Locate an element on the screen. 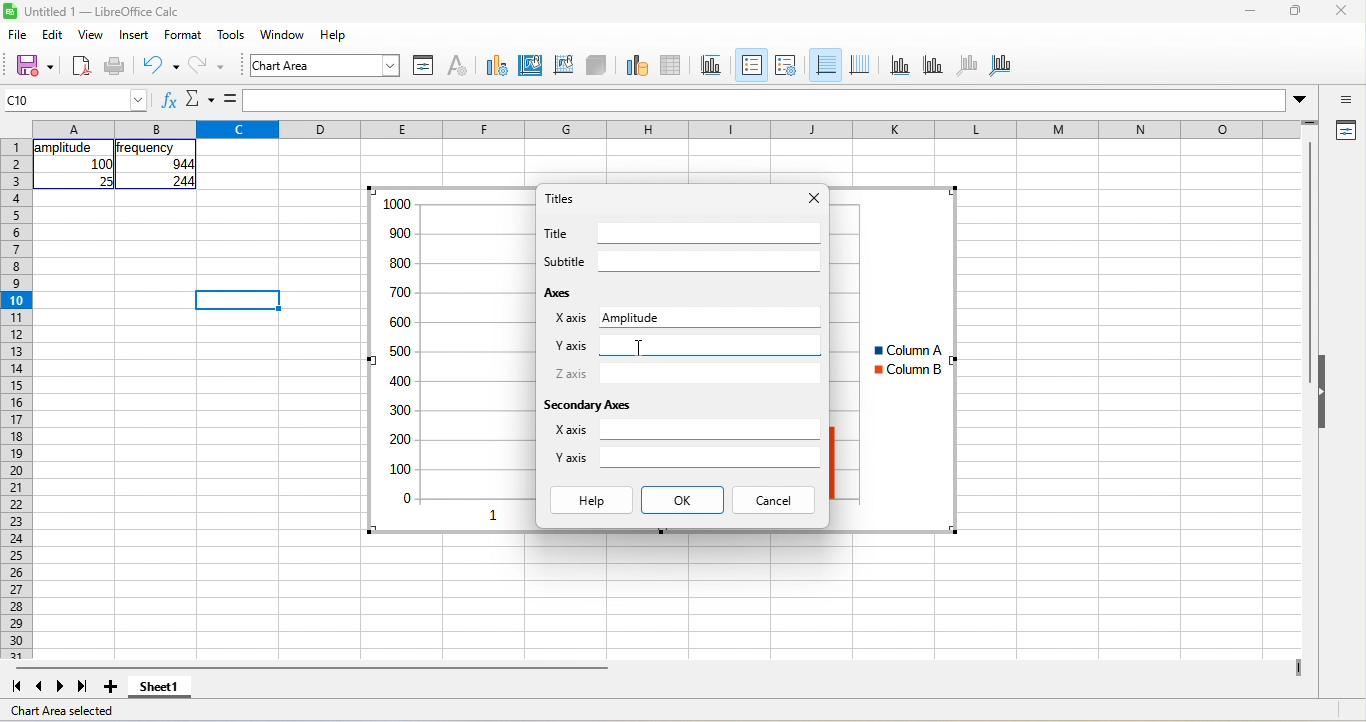  Input for X axis is located at coordinates (742, 316).